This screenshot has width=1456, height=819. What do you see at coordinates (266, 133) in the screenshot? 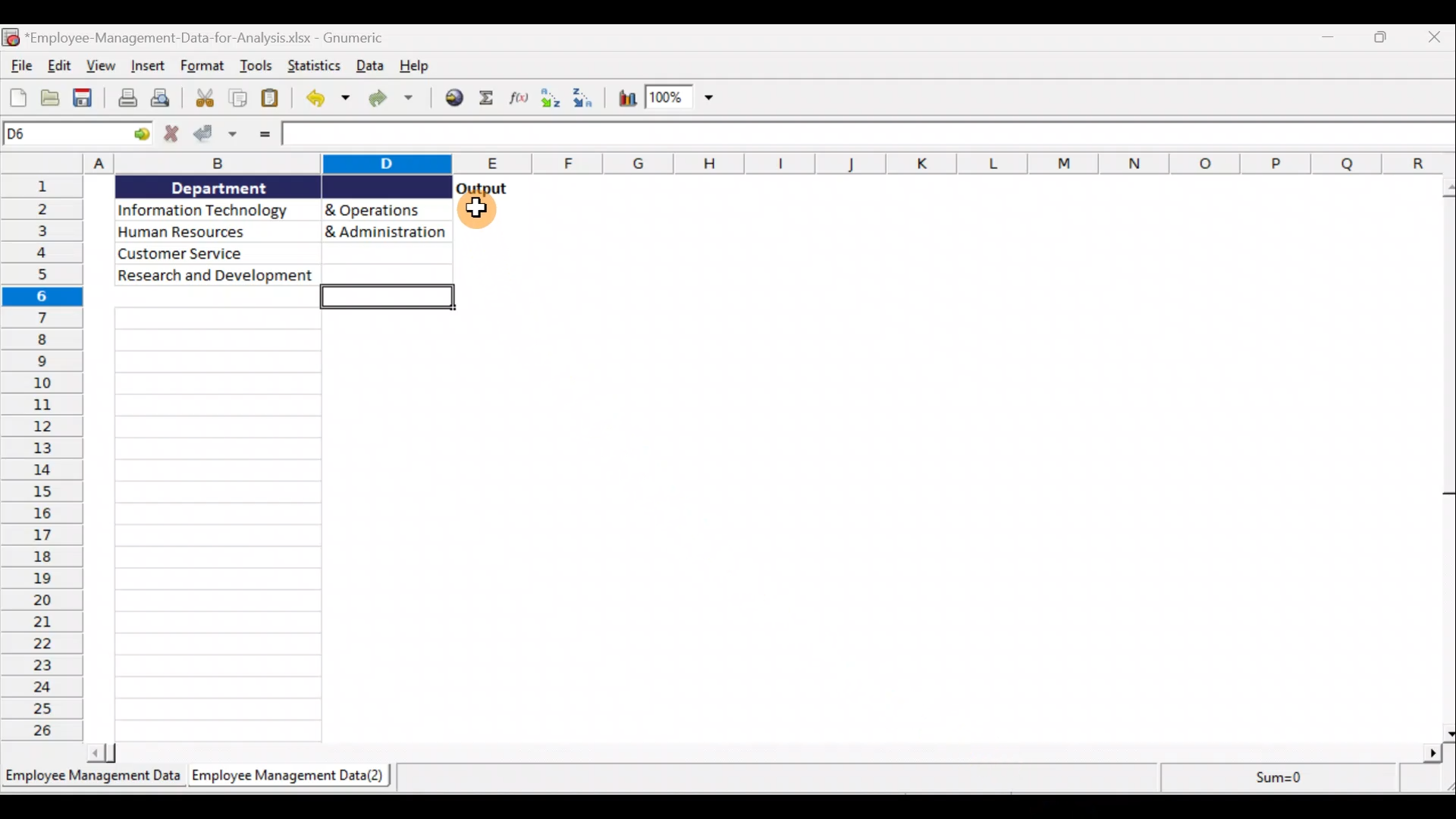
I see `Enter formula` at bounding box center [266, 133].